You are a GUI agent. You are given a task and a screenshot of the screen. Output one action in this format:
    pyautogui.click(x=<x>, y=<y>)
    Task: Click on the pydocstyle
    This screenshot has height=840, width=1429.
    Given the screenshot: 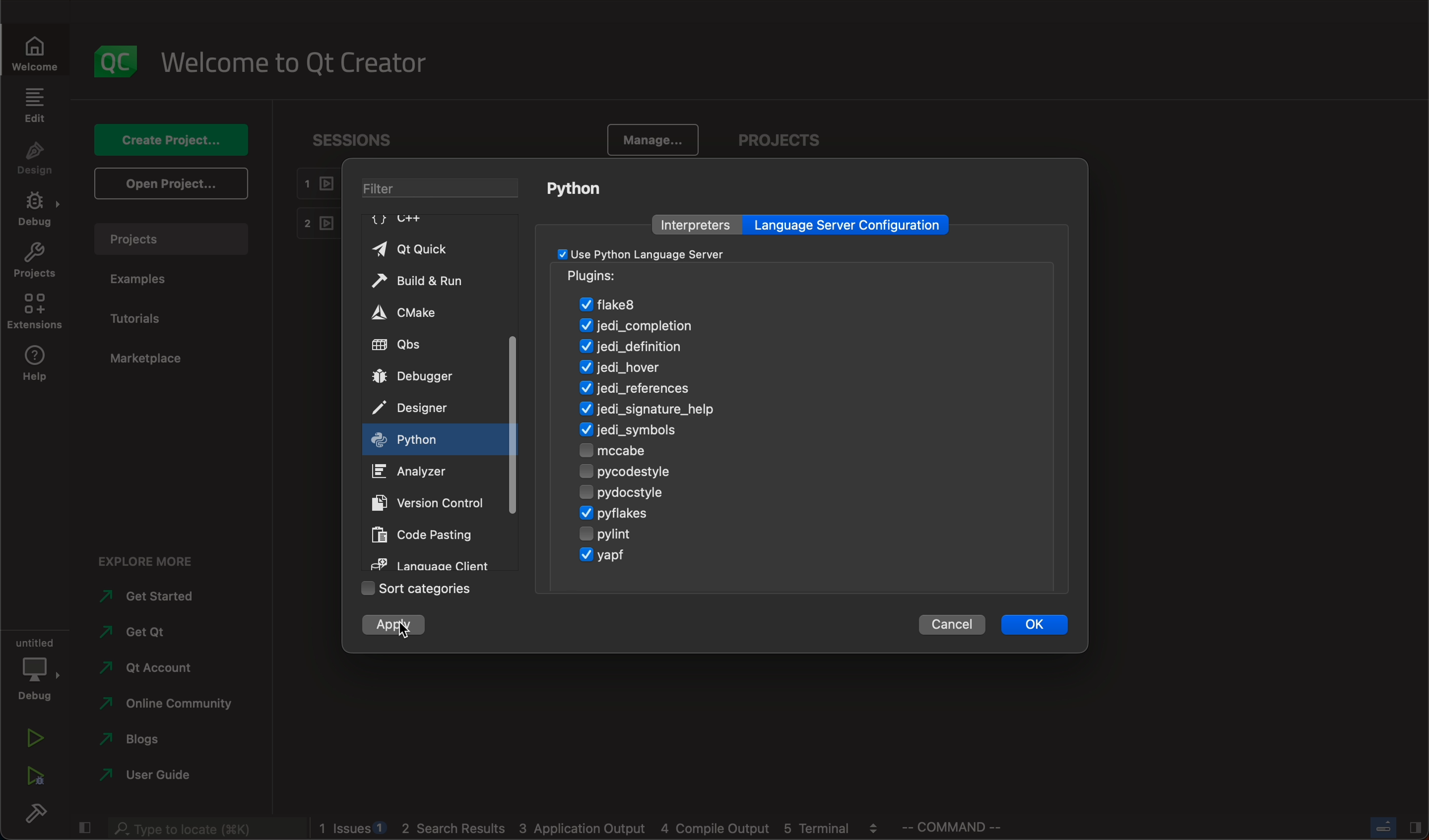 What is the action you would take?
    pyautogui.click(x=625, y=493)
    